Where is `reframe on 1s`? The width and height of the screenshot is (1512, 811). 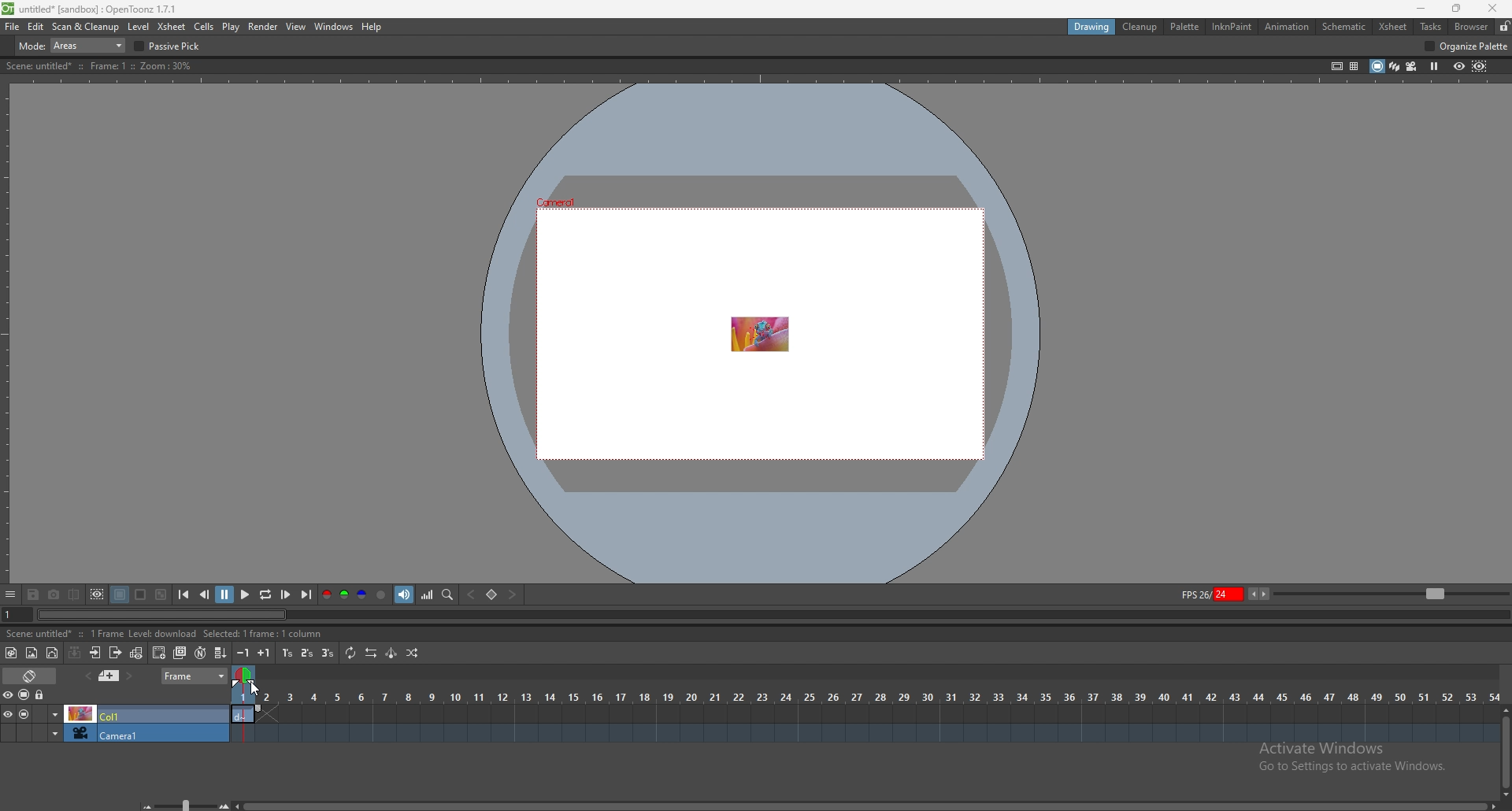
reframe on 1s is located at coordinates (287, 654).